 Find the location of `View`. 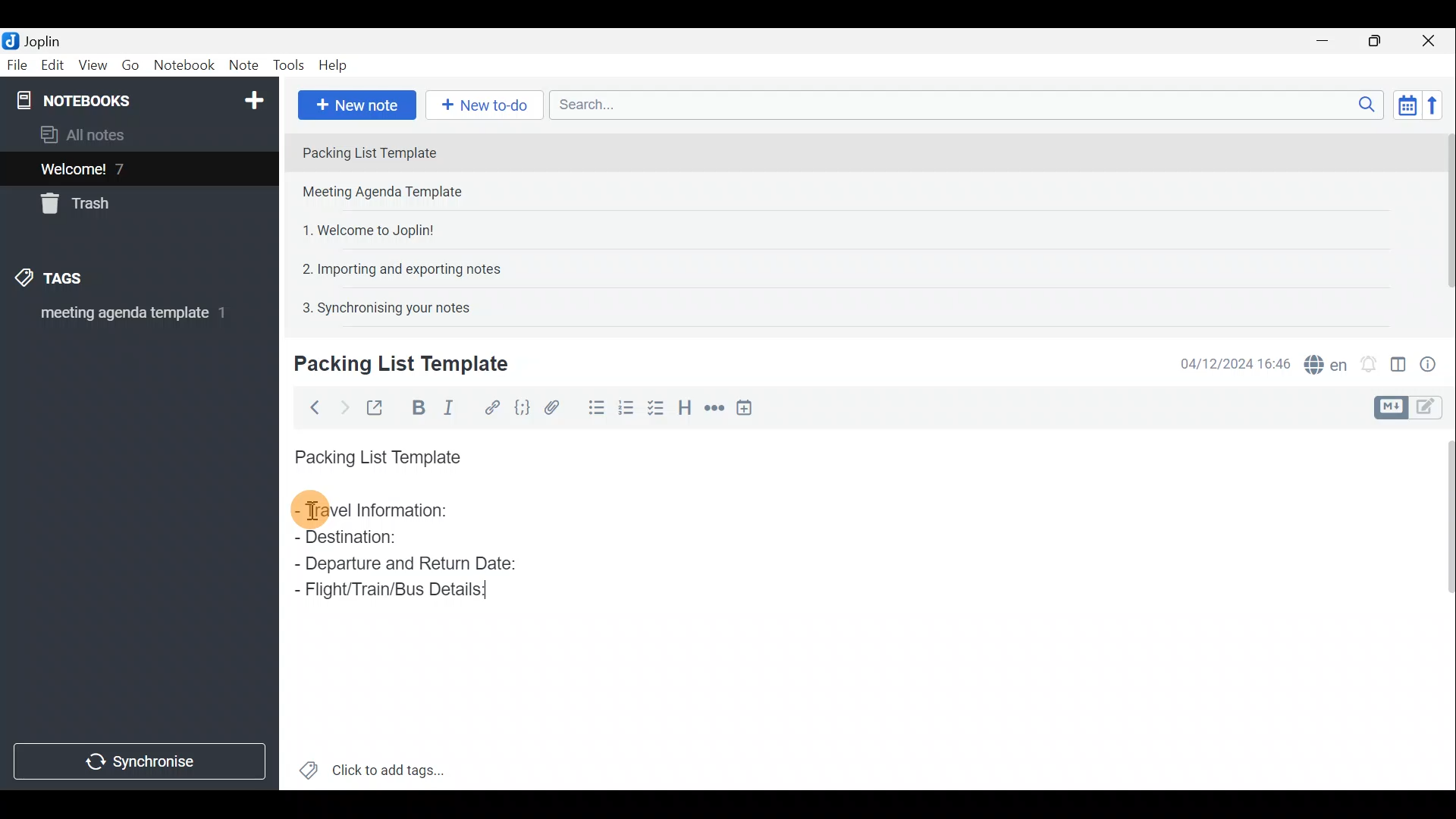

View is located at coordinates (94, 65).